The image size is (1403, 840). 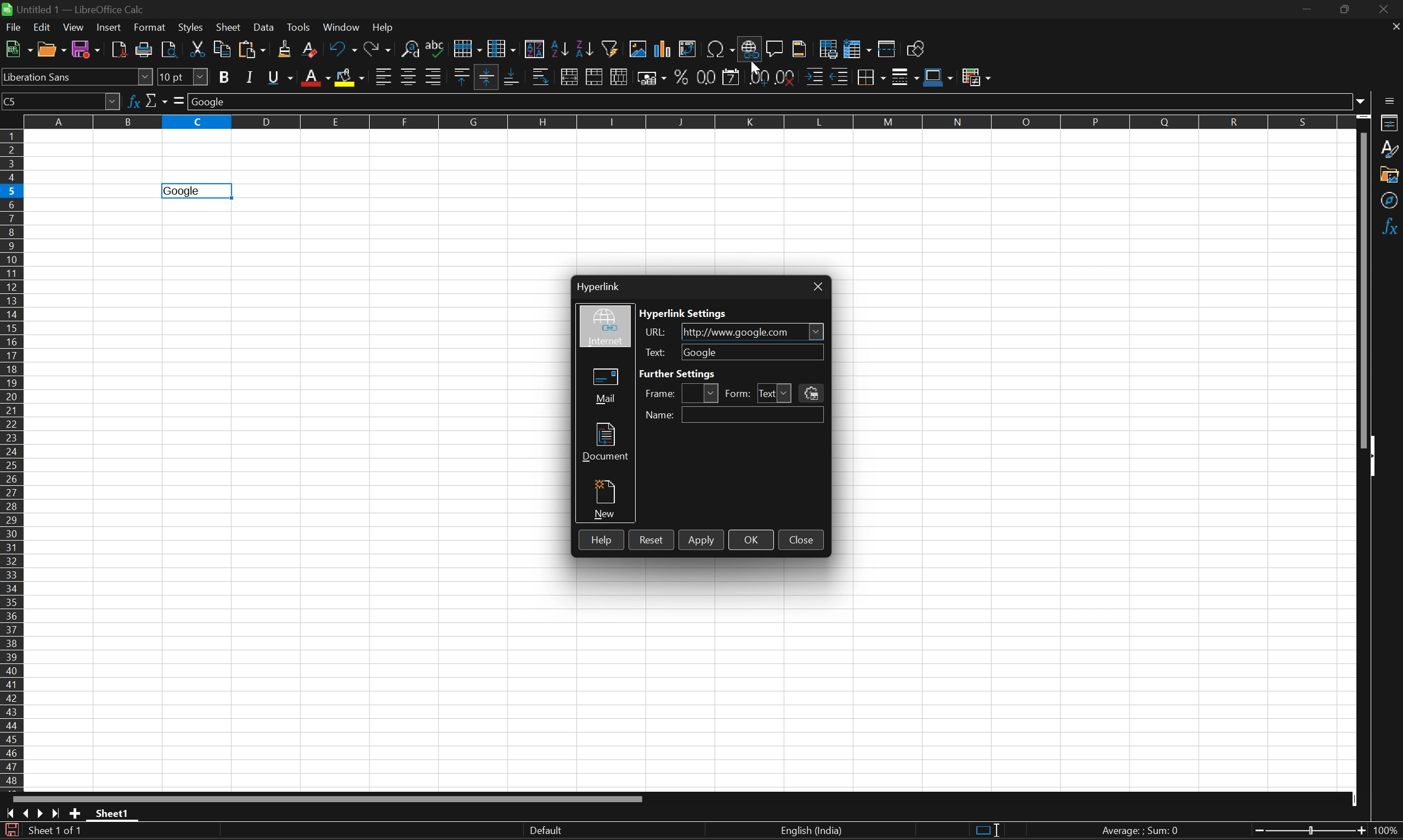 What do you see at coordinates (1390, 174) in the screenshot?
I see `Gallery` at bounding box center [1390, 174].